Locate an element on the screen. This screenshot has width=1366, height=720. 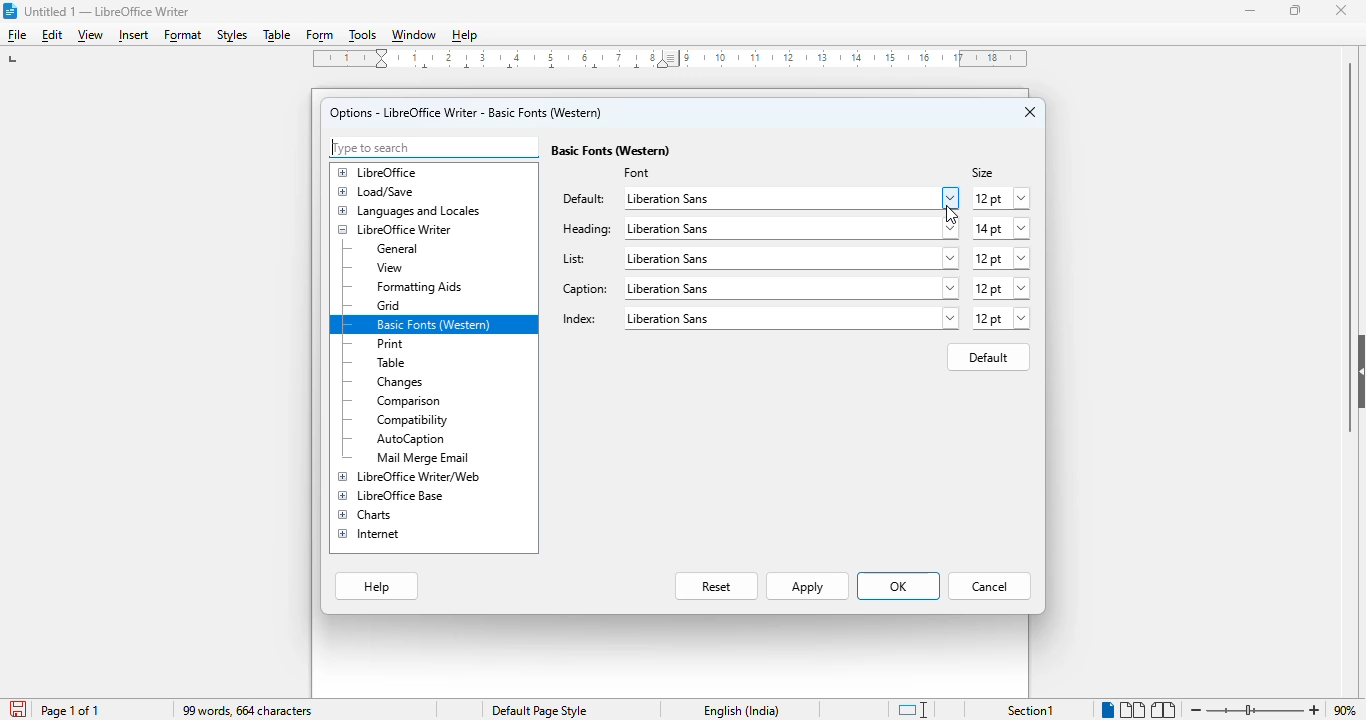
size is located at coordinates (984, 172).